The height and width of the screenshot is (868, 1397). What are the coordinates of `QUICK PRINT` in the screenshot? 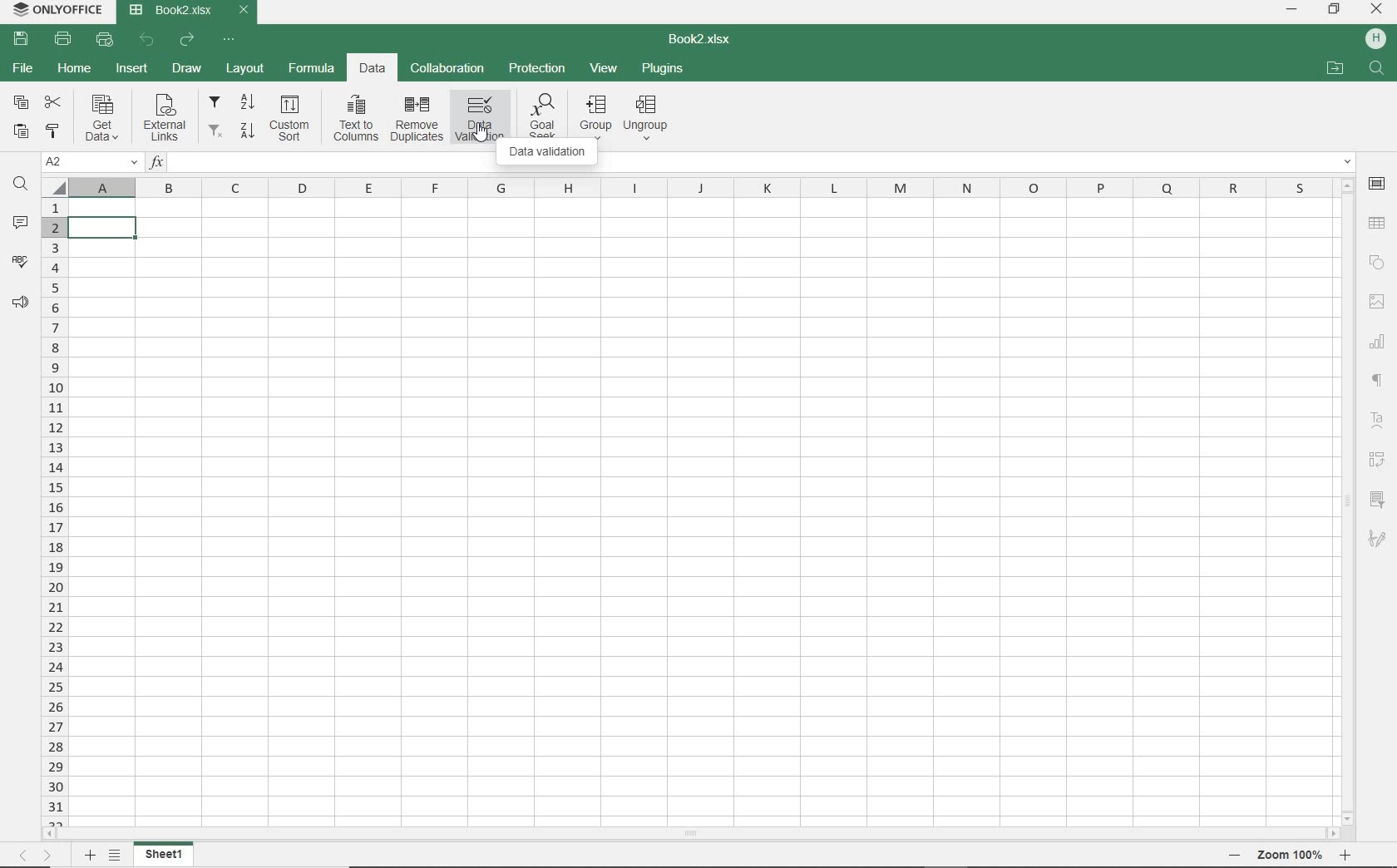 It's located at (102, 37).